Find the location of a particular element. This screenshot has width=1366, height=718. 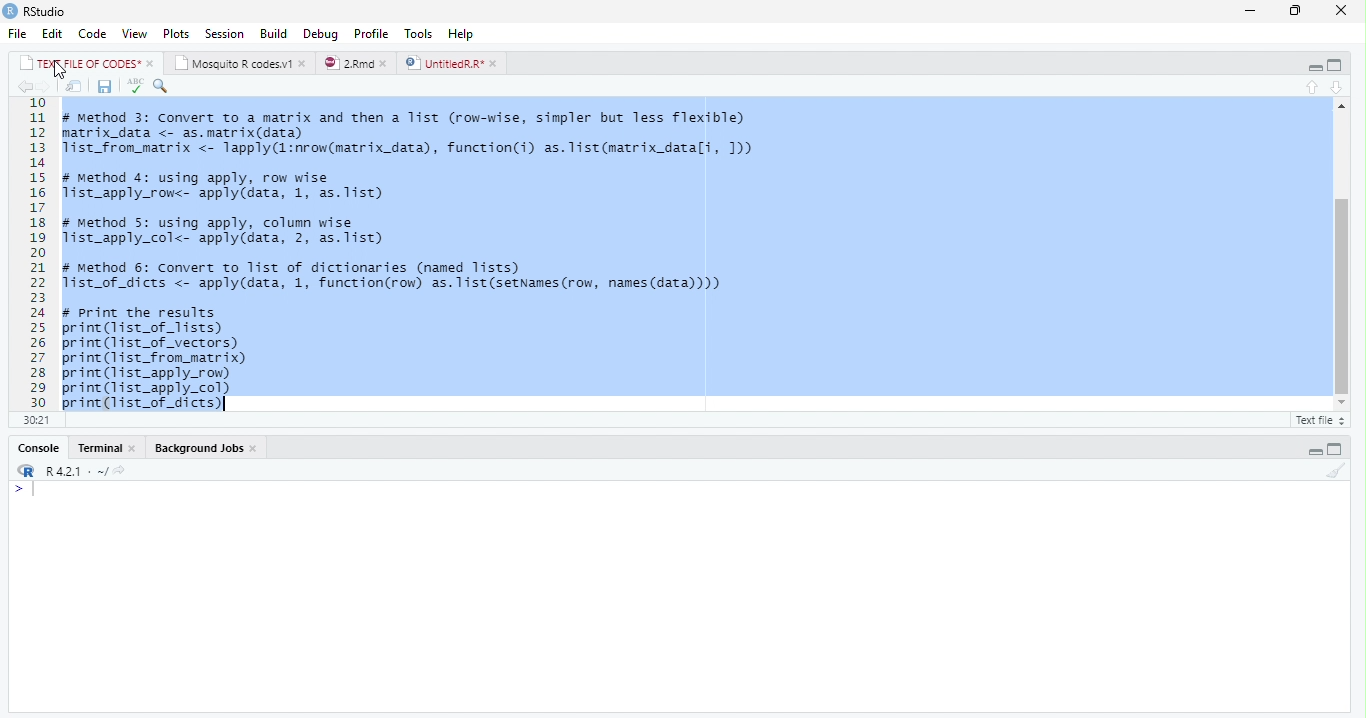

Build is located at coordinates (273, 33).